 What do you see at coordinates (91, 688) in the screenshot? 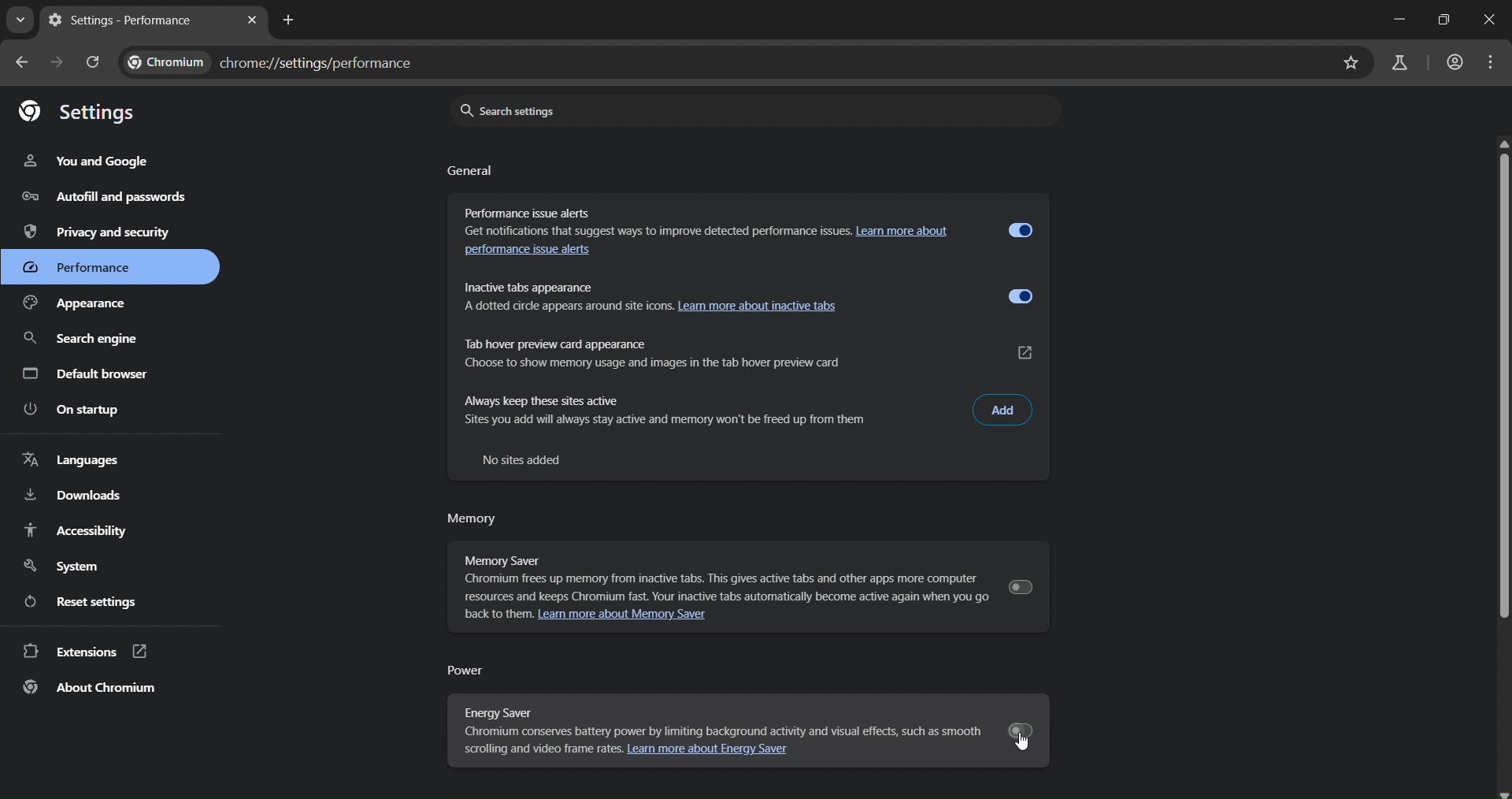
I see `about chromium` at bounding box center [91, 688].